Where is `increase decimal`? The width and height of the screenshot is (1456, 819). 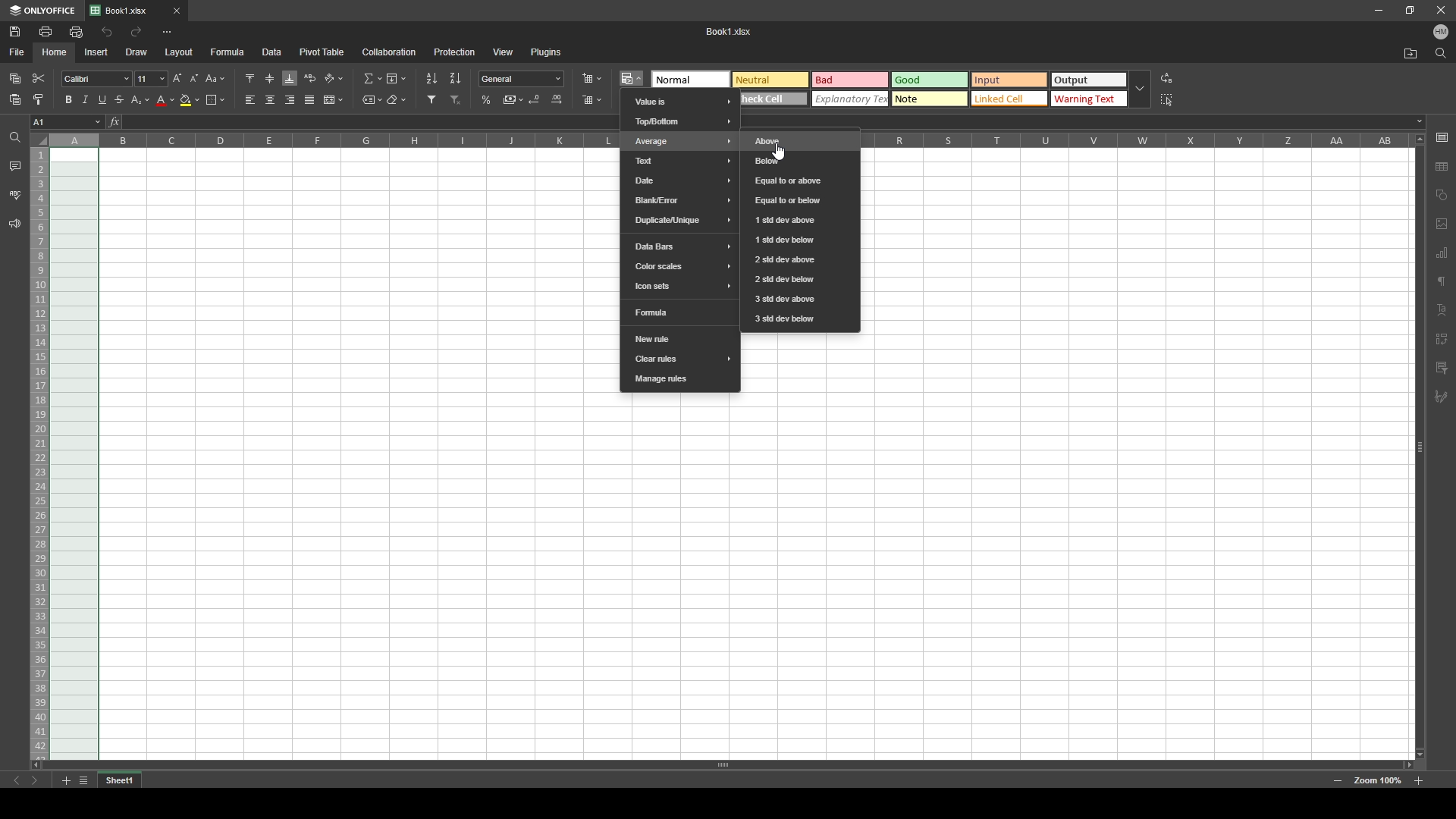 increase decimal is located at coordinates (557, 99).